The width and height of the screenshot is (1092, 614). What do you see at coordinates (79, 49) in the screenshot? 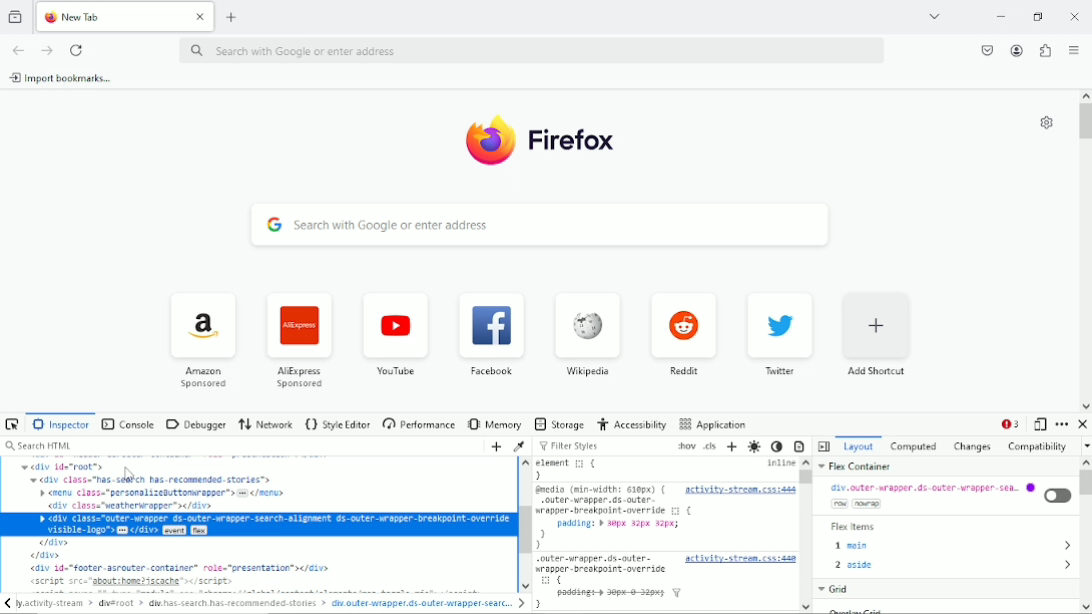
I see `Reload current page` at bounding box center [79, 49].